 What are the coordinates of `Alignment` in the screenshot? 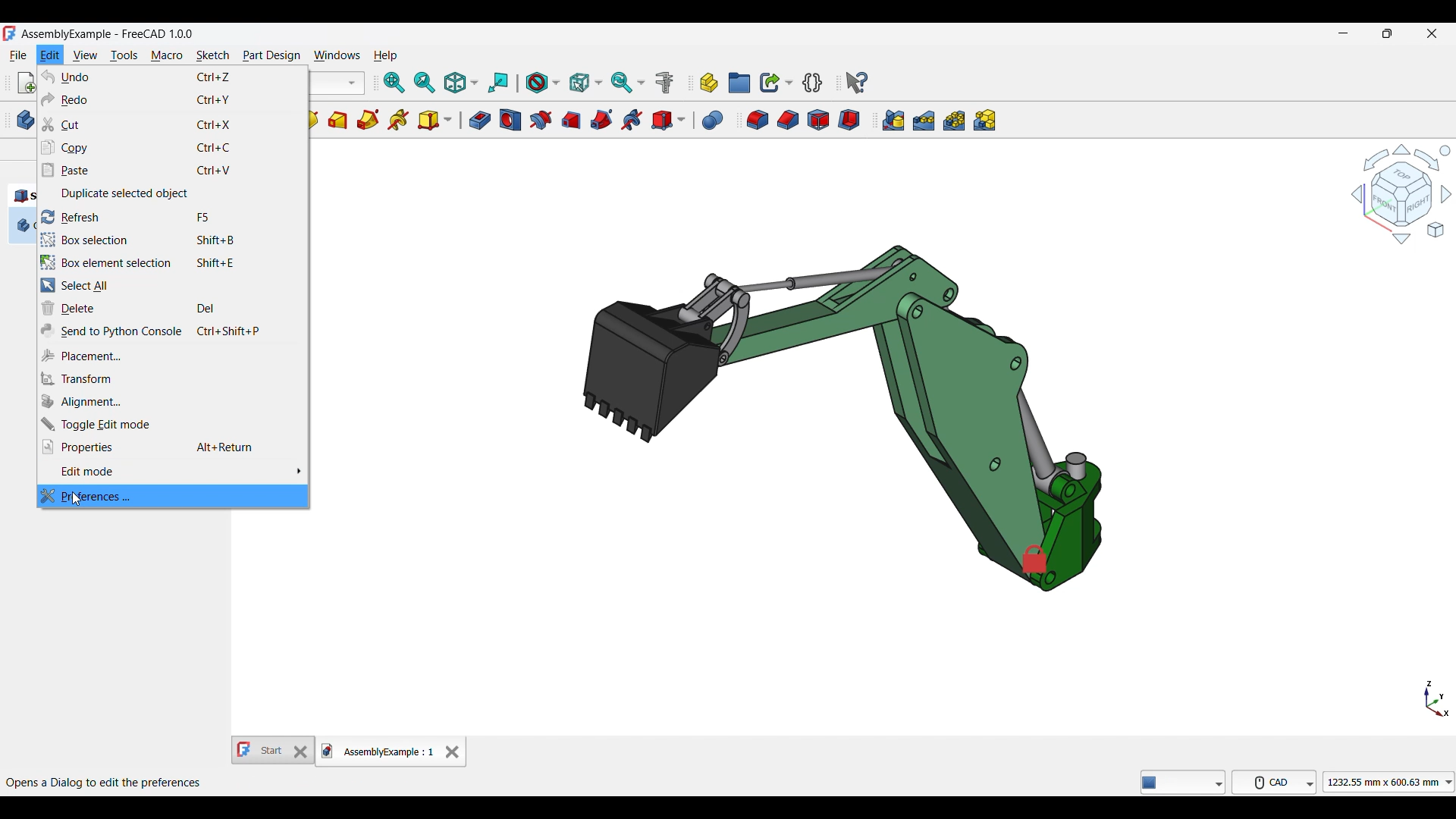 It's located at (173, 401).